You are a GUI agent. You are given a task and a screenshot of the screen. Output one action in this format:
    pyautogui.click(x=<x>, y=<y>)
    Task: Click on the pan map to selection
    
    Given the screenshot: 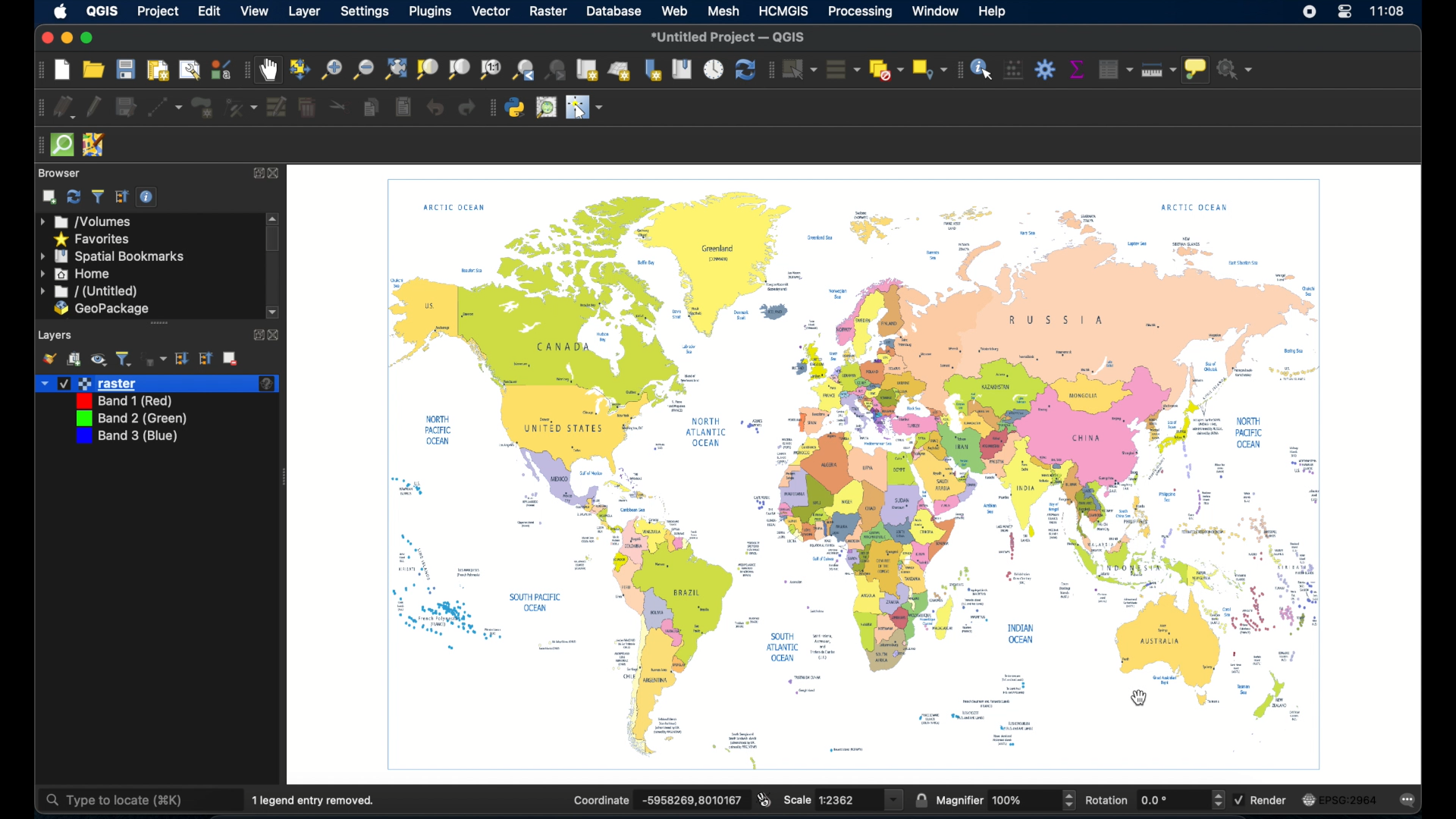 What is the action you would take?
    pyautogui.click(x=302, y=70)
    